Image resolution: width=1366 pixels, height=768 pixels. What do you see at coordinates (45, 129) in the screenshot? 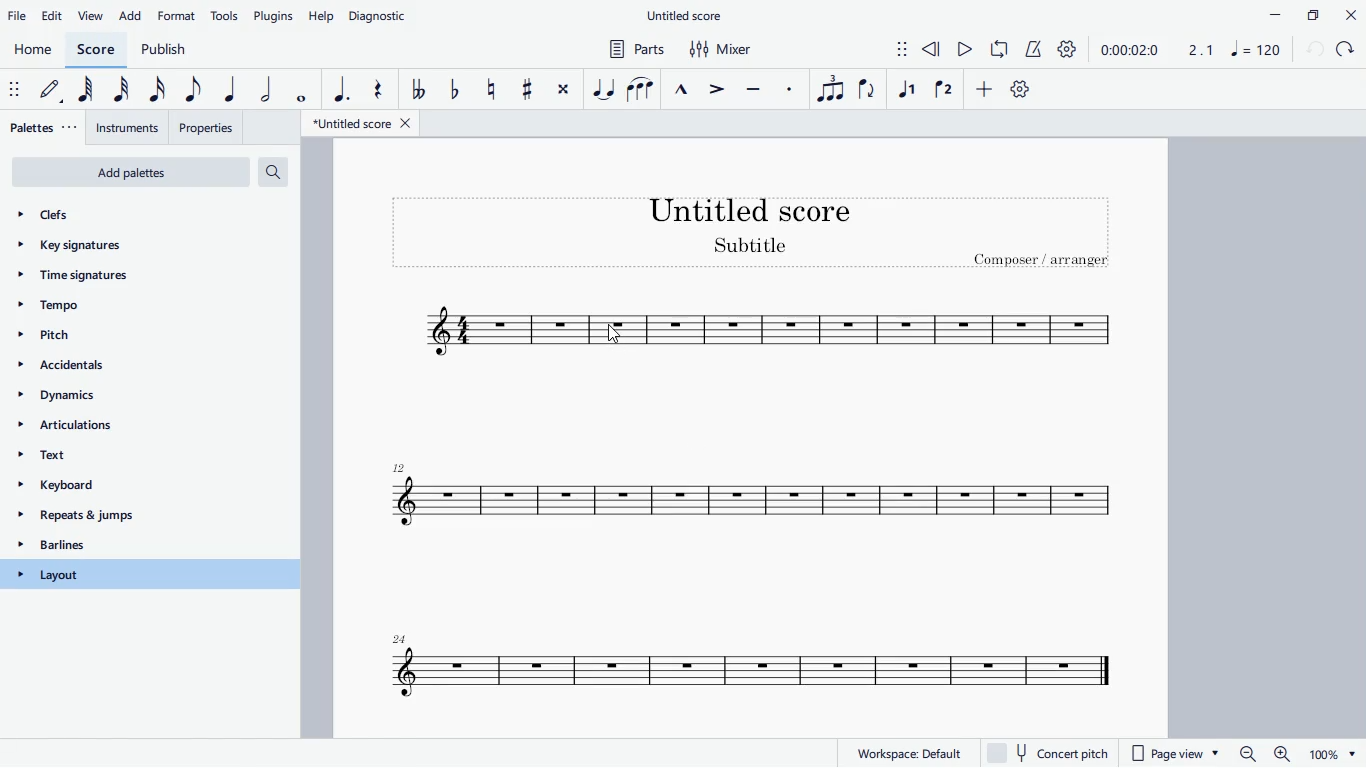
I see `palettes` at bounding box center [45, 129].